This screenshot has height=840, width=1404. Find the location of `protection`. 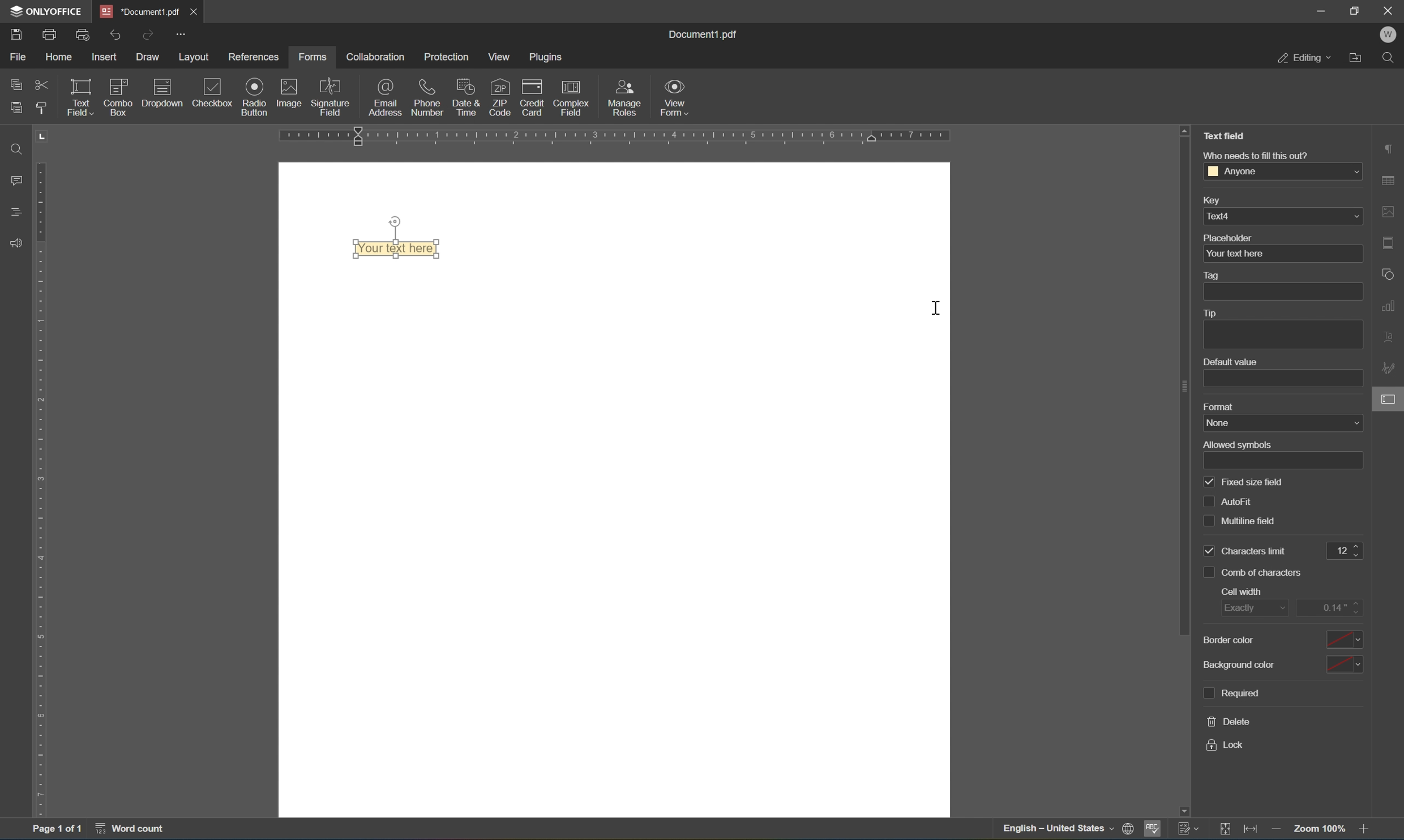

protection is located at coordinates (445, 55).